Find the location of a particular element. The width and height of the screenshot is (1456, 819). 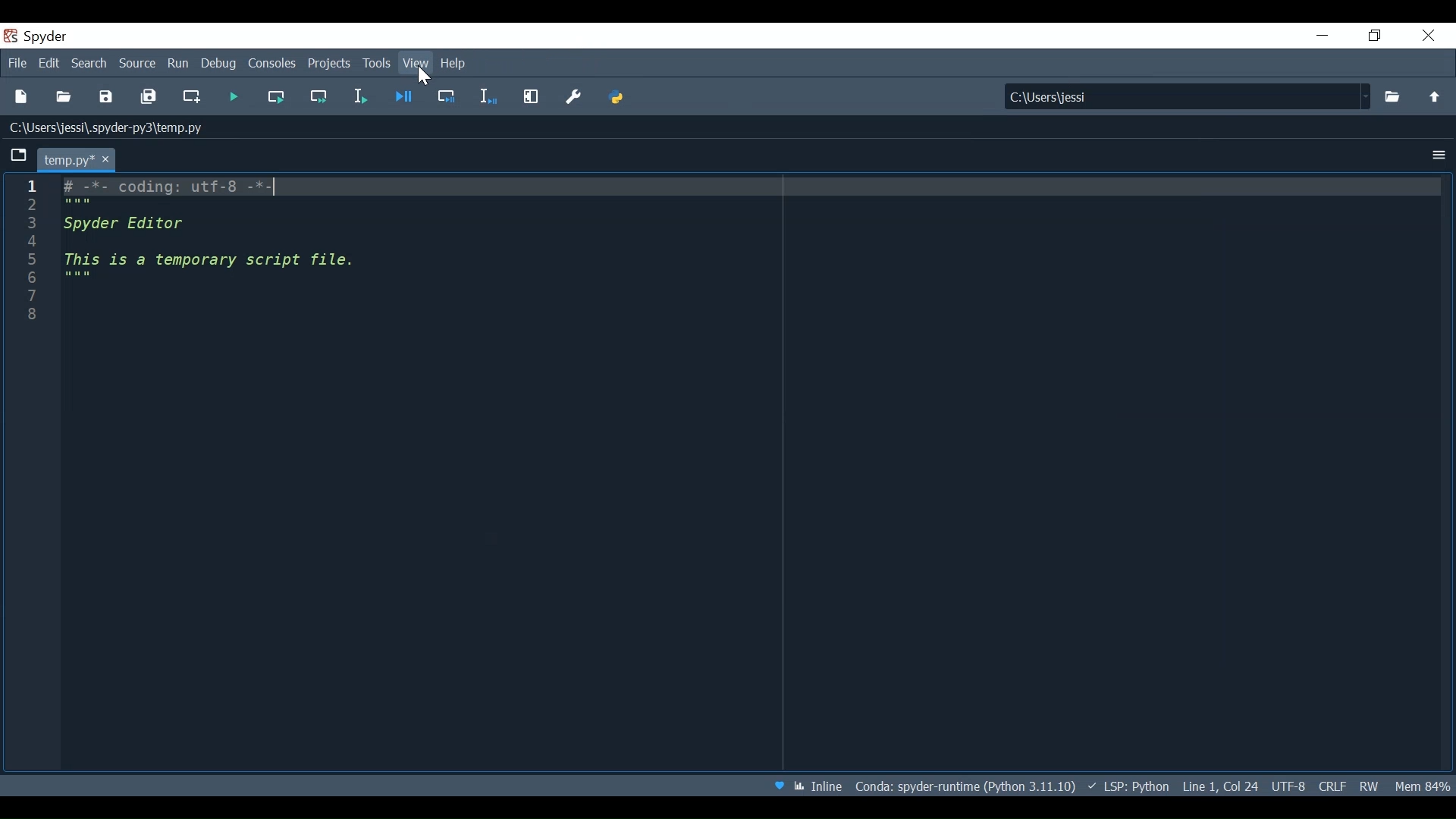

Options is located at coordinates (1439, 155).